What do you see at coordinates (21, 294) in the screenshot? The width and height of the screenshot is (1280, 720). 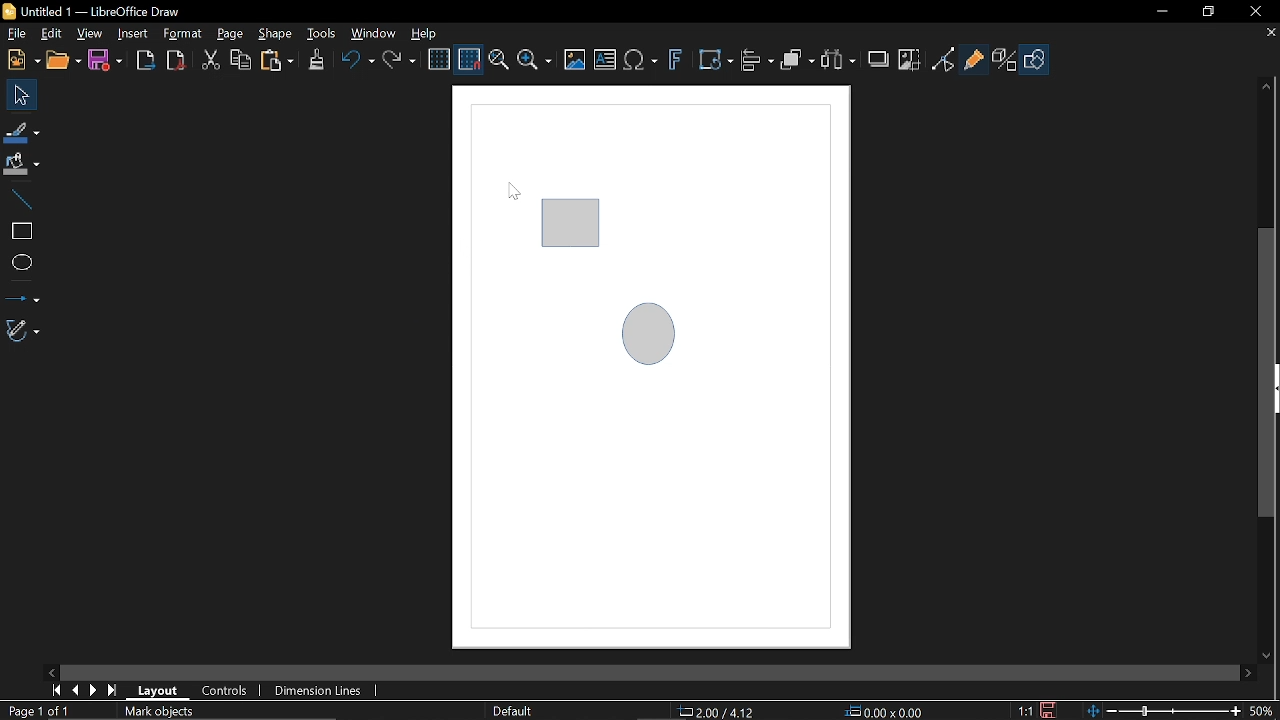 I see `Lines and arrows` at bounding box center [21, 294].